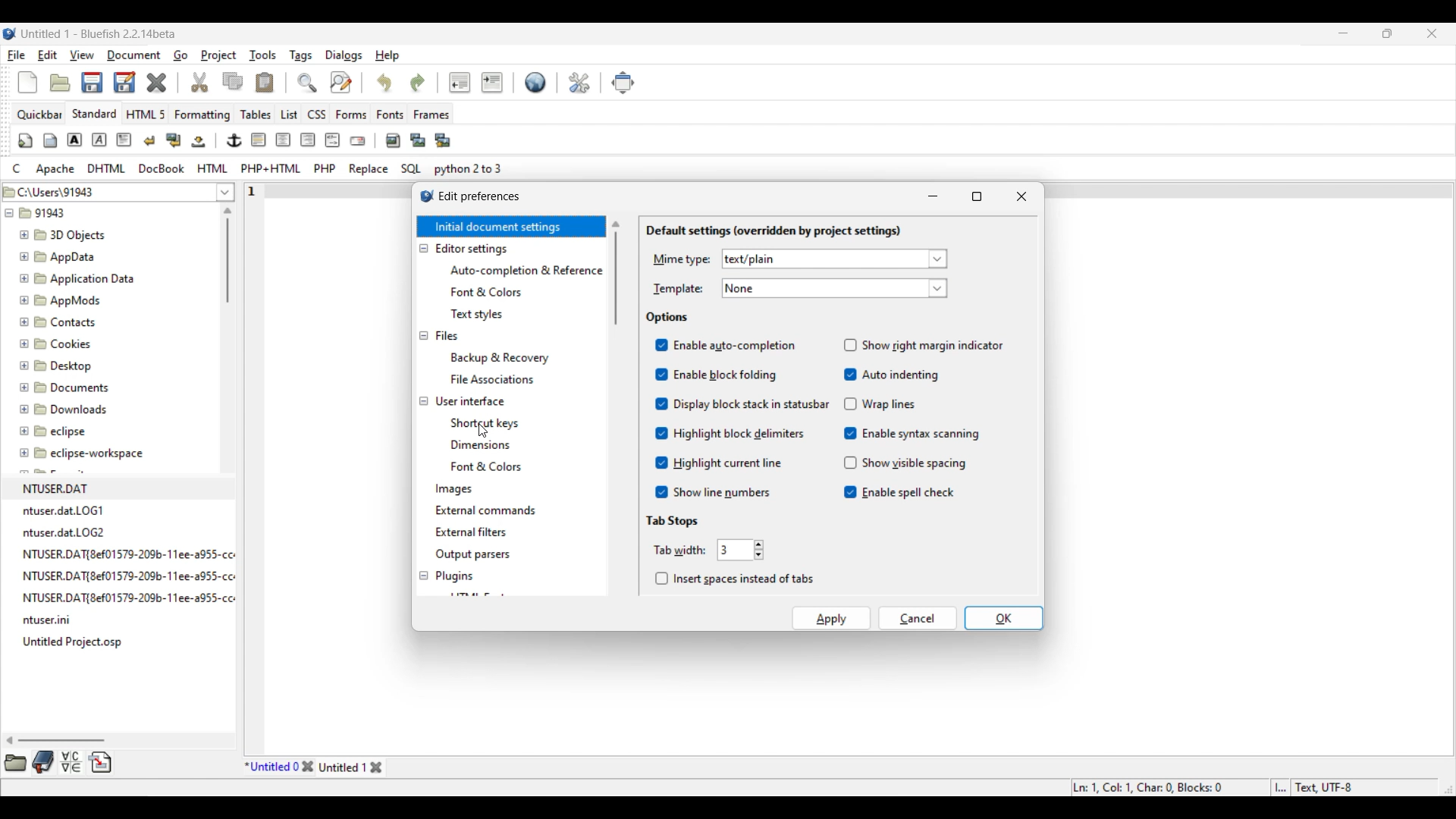 The height and width of the screenshot is (819, 1456). What do you see at coordinates (485, 510) in the screenshot?
I see `External commands` at bounding box center [485, 510].